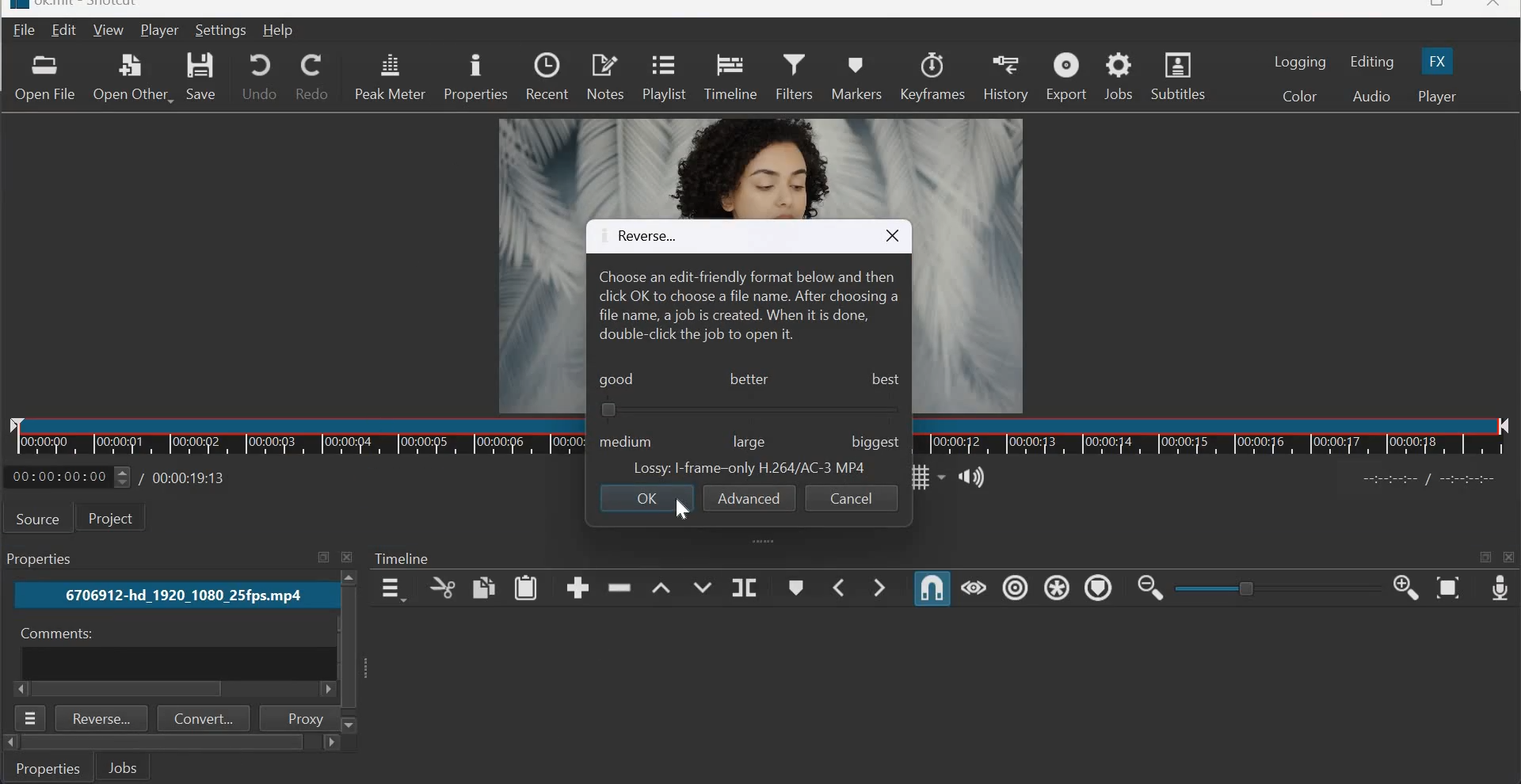 The width and height of the screenshot is (1521, 784). What do you see at coordinates (1298, 95) in the screenshot?
I see `Color` at bounding box center [1298, 95].